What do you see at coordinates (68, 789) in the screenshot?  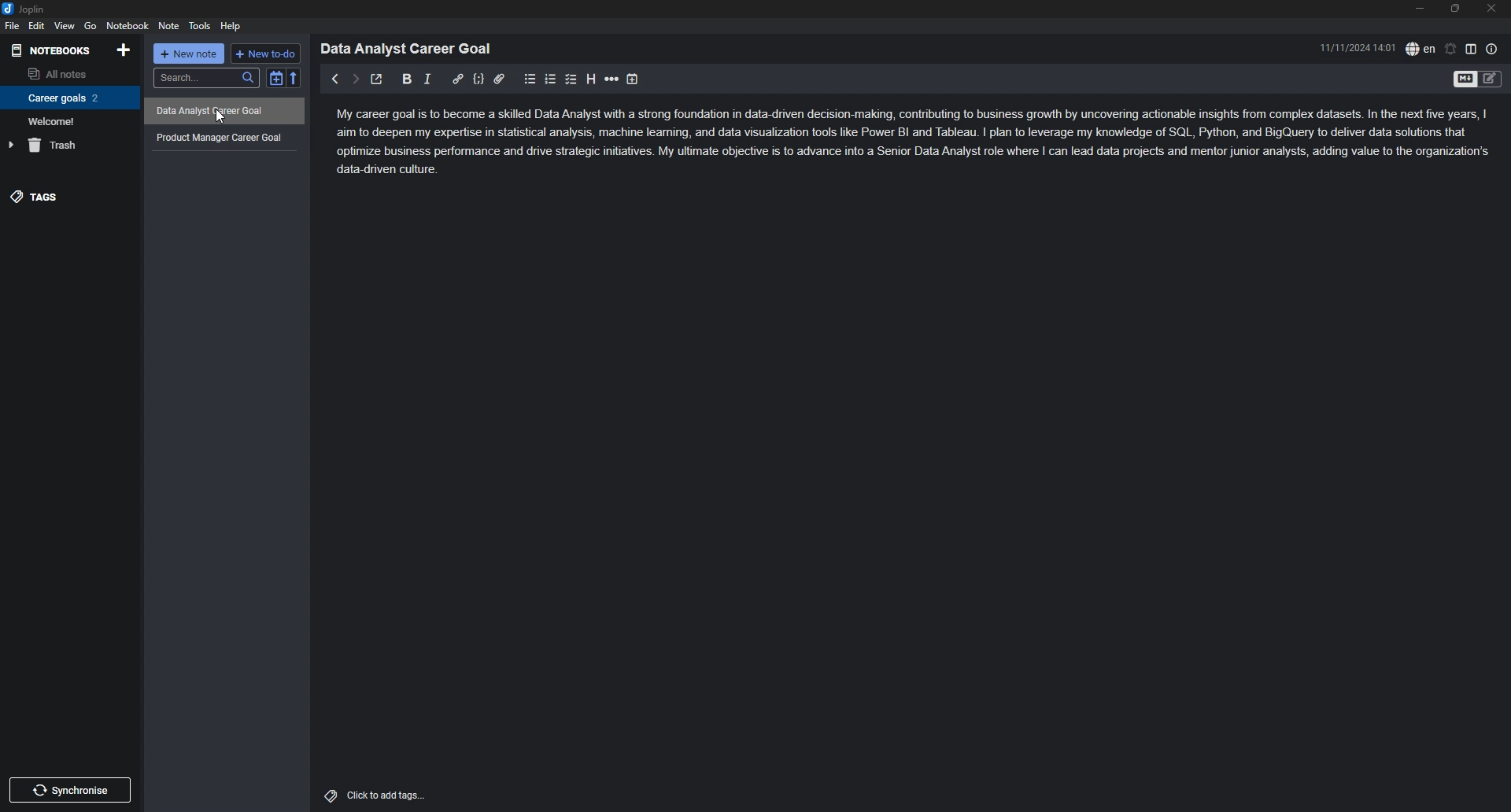 I see `synchronise` at bounding box center [68, 789].